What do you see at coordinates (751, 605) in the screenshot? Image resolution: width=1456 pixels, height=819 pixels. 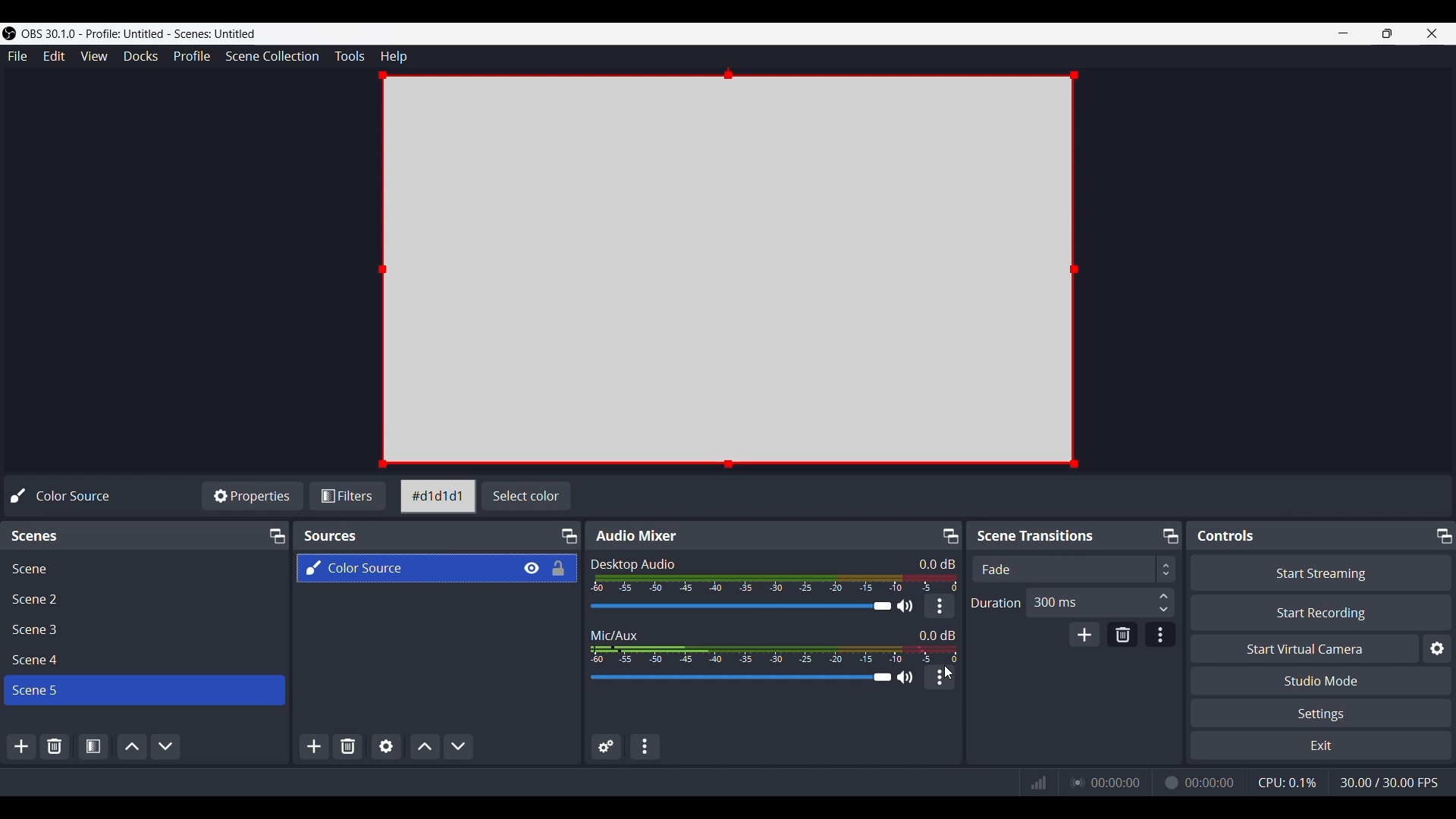 I see `Volume Adjuster` at bounding box center [751, 605].